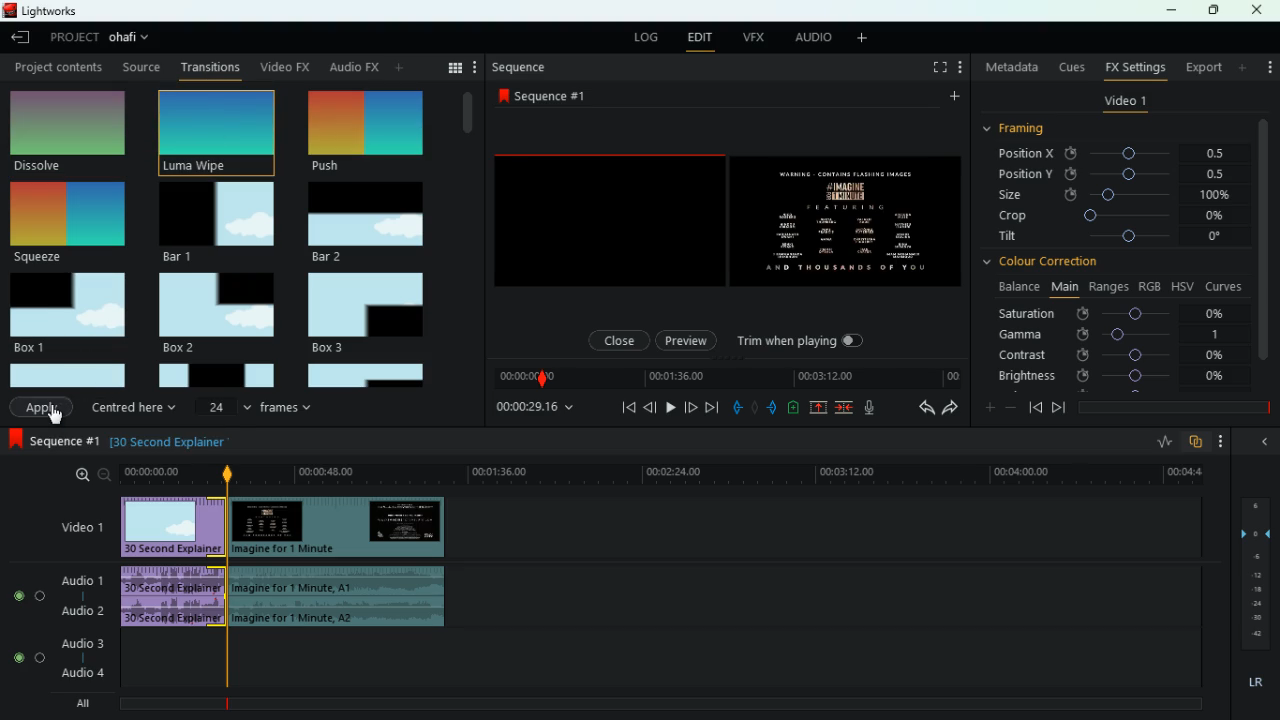 The height and width of the screenshot is (720, 1280). What do you see at coordinates (1108, 286) in the screenshot?
I see `ranges` at bounding box center [1108, 286].